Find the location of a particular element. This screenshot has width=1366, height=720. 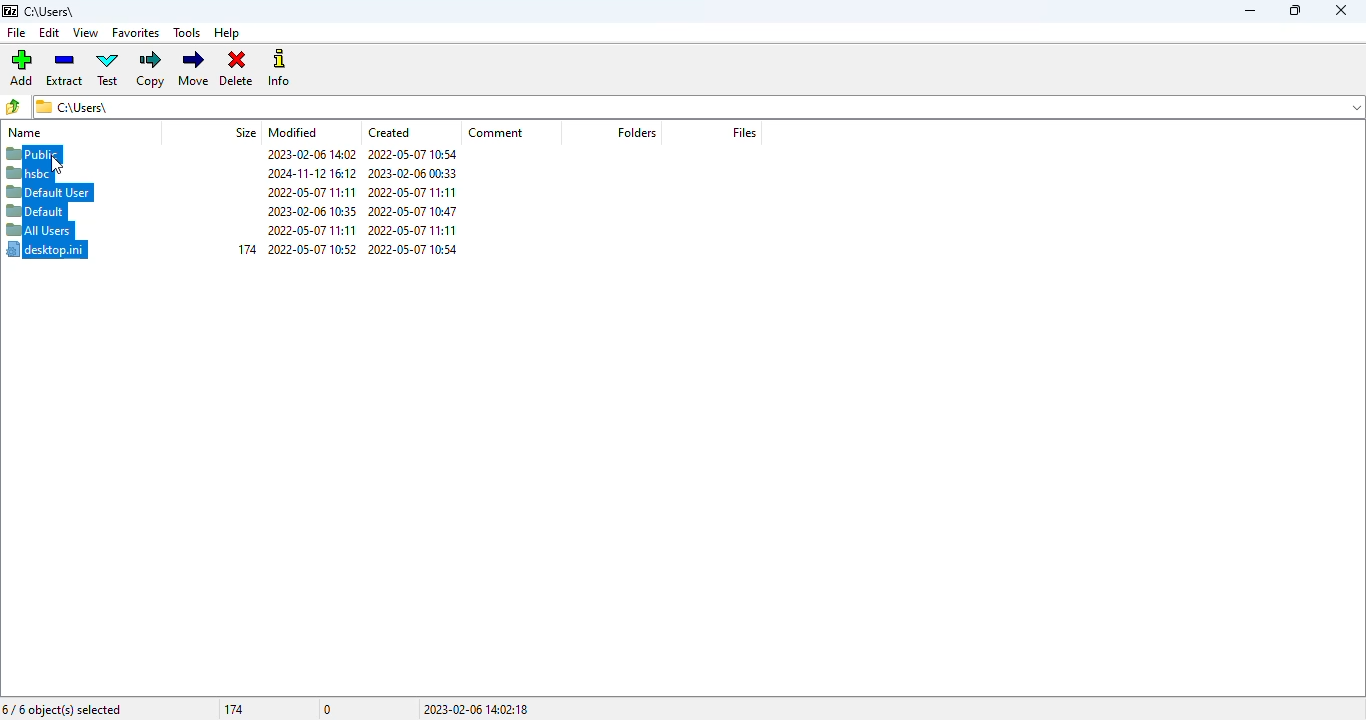

174 is located at coordinates (236, 711).